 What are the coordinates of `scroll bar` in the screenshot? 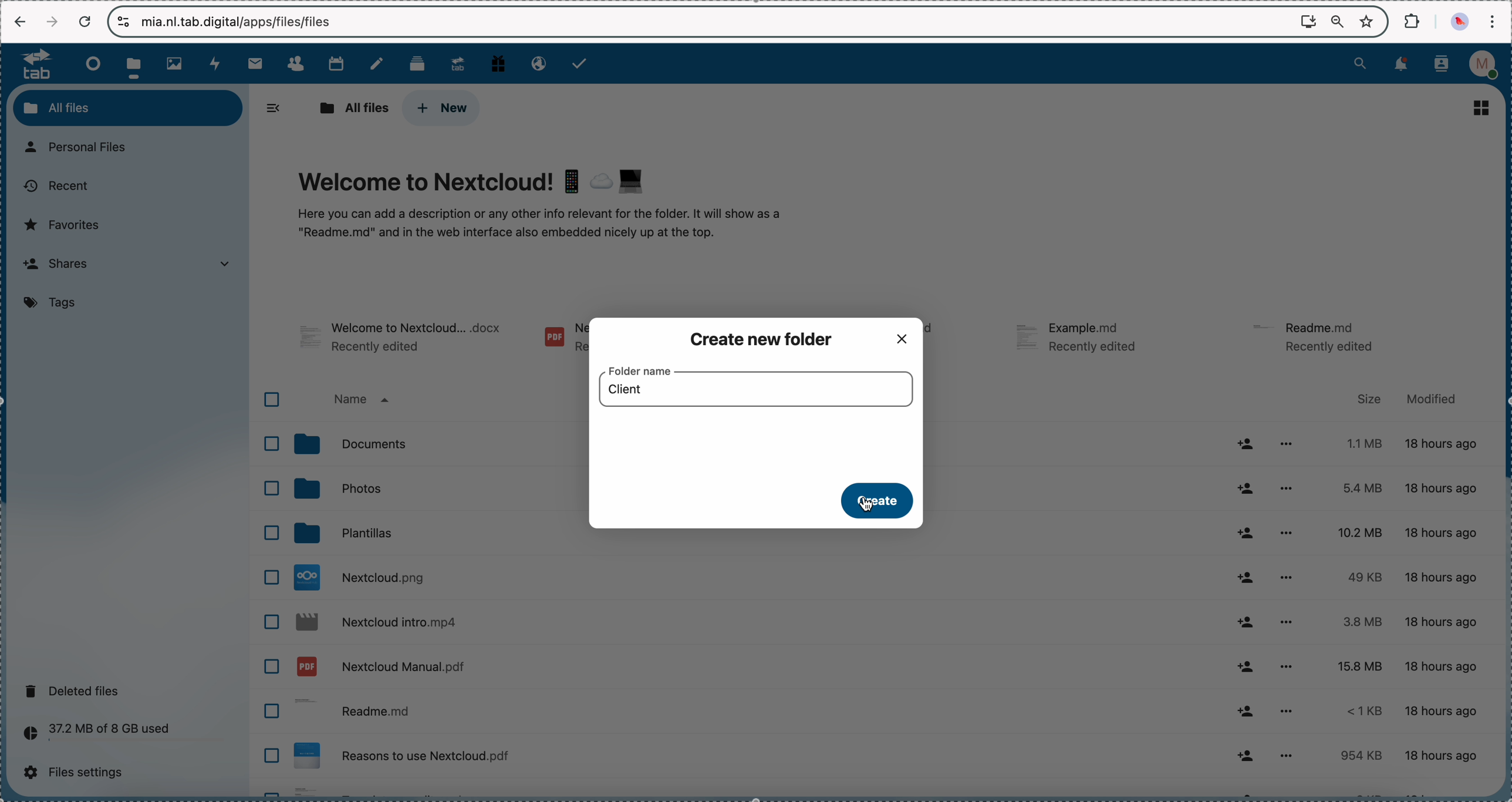 It's located at (1503, 312).